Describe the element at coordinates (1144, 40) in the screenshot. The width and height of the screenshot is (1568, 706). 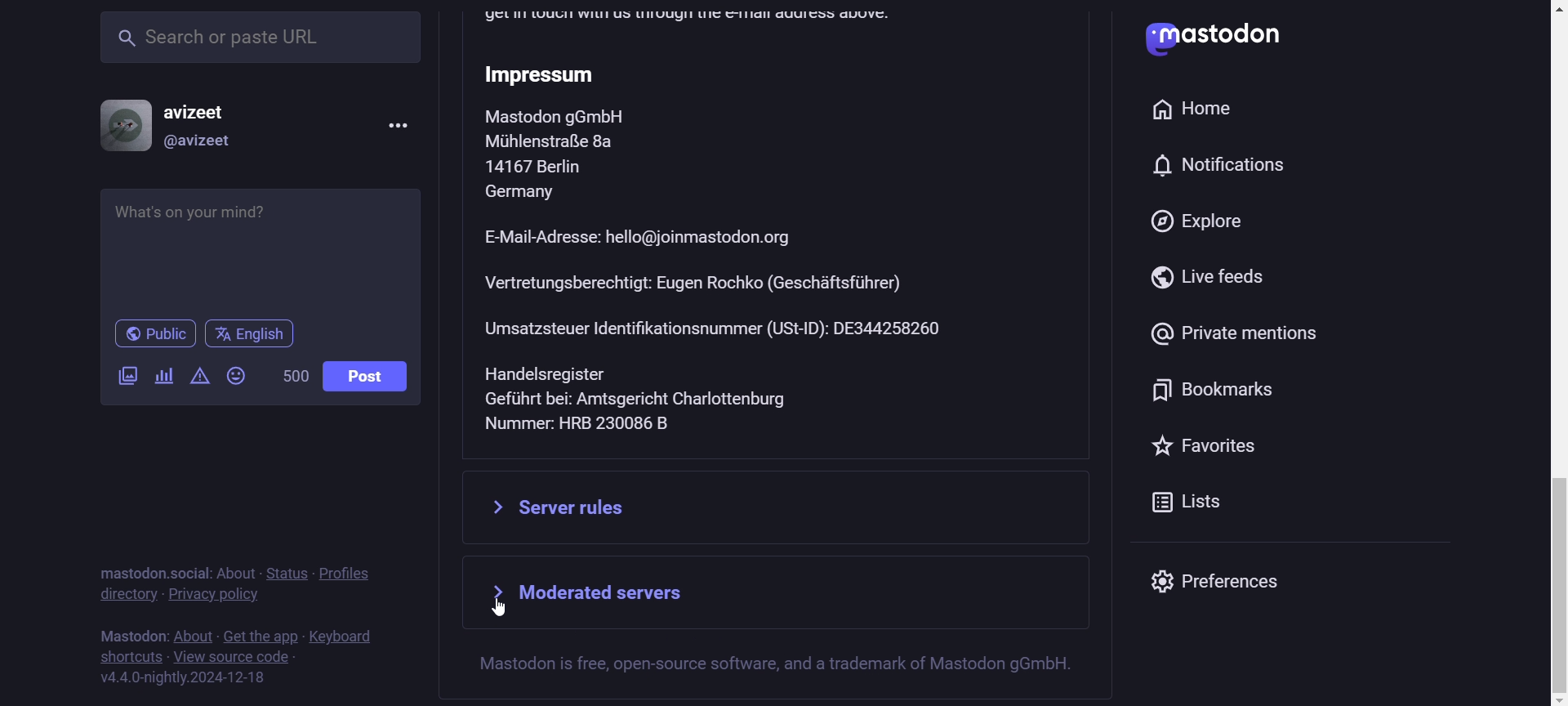
I see `logo` at that location.